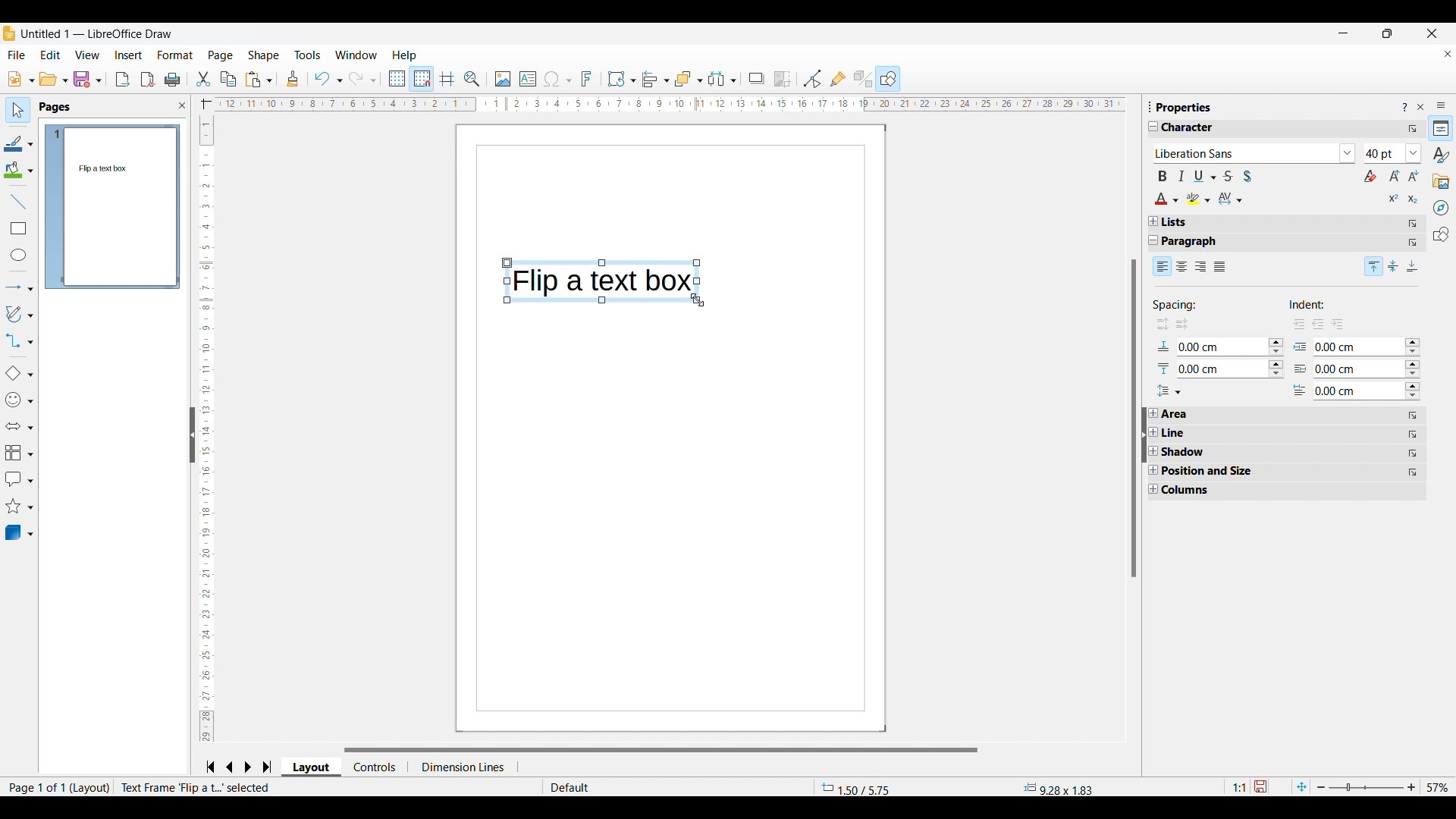  I want to click on Insert ellipse, so click(19, 255).